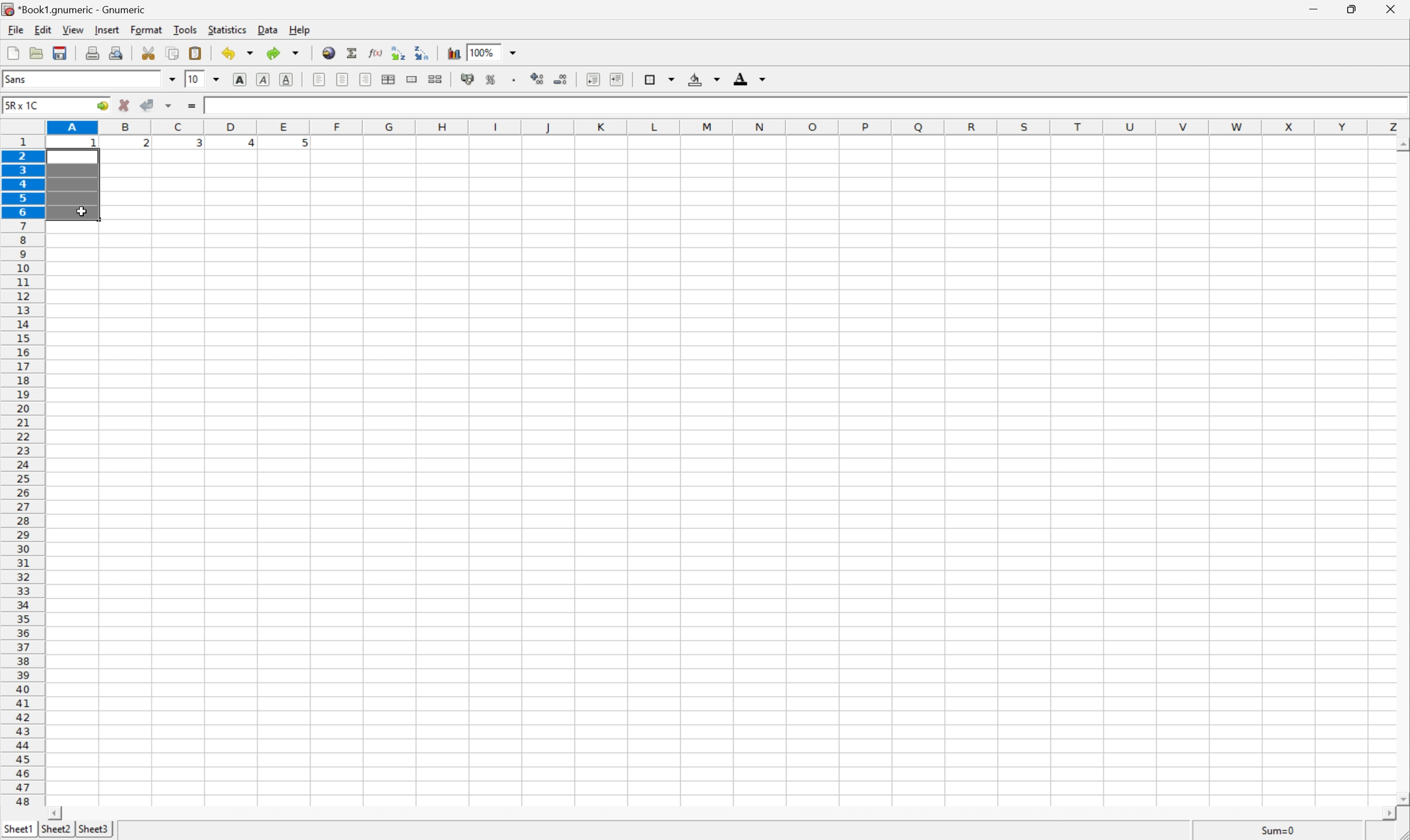 The height and width of the screenshot is (840, 1410). Describe the element at coordinates (559, 79) in the screenshot. I see `decrease number of decimals displayed` at that location.